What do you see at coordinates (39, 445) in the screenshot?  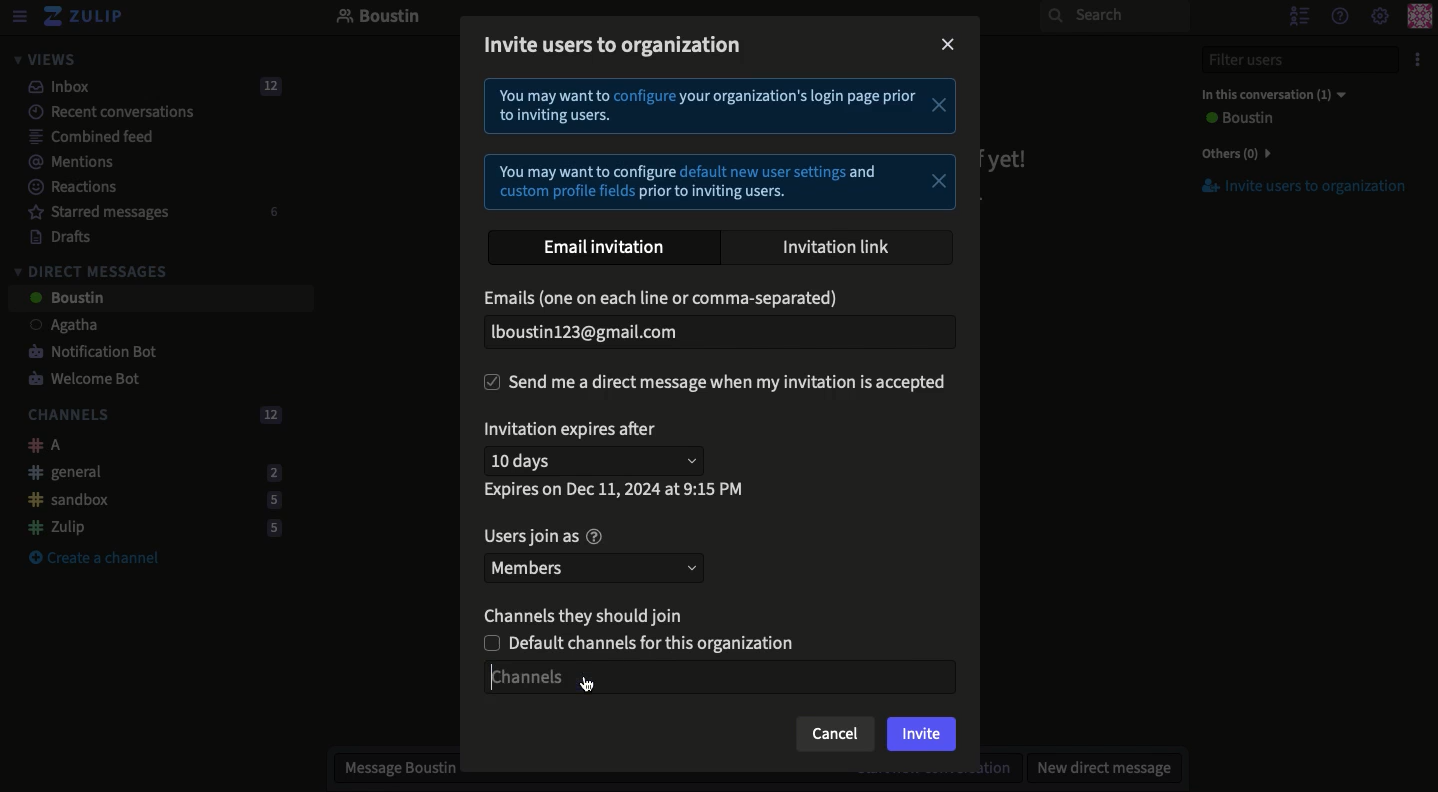 I see `A` at bounding box center [39, 445].